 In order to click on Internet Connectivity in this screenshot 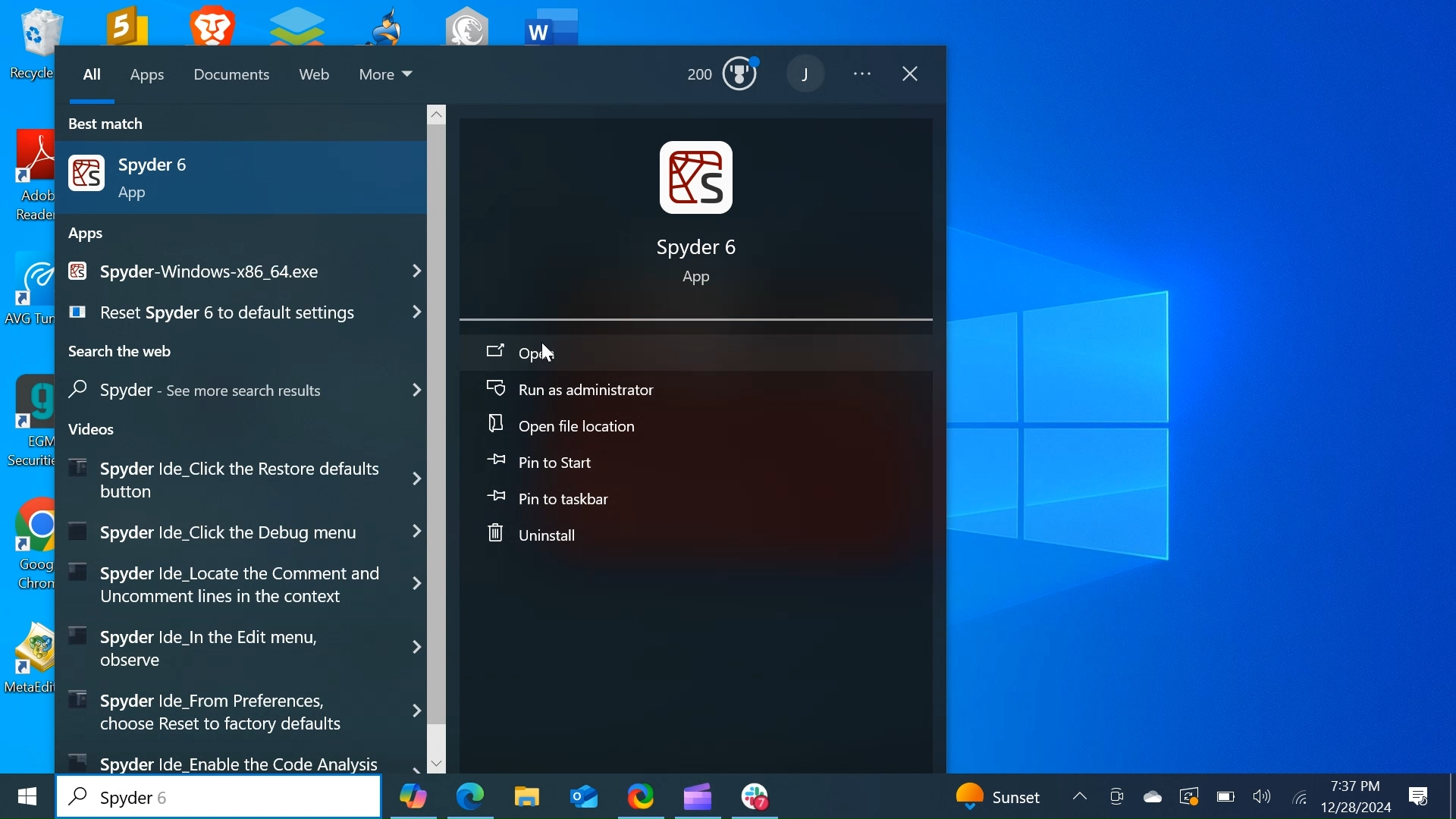, I will do `click(1298, 798)`.